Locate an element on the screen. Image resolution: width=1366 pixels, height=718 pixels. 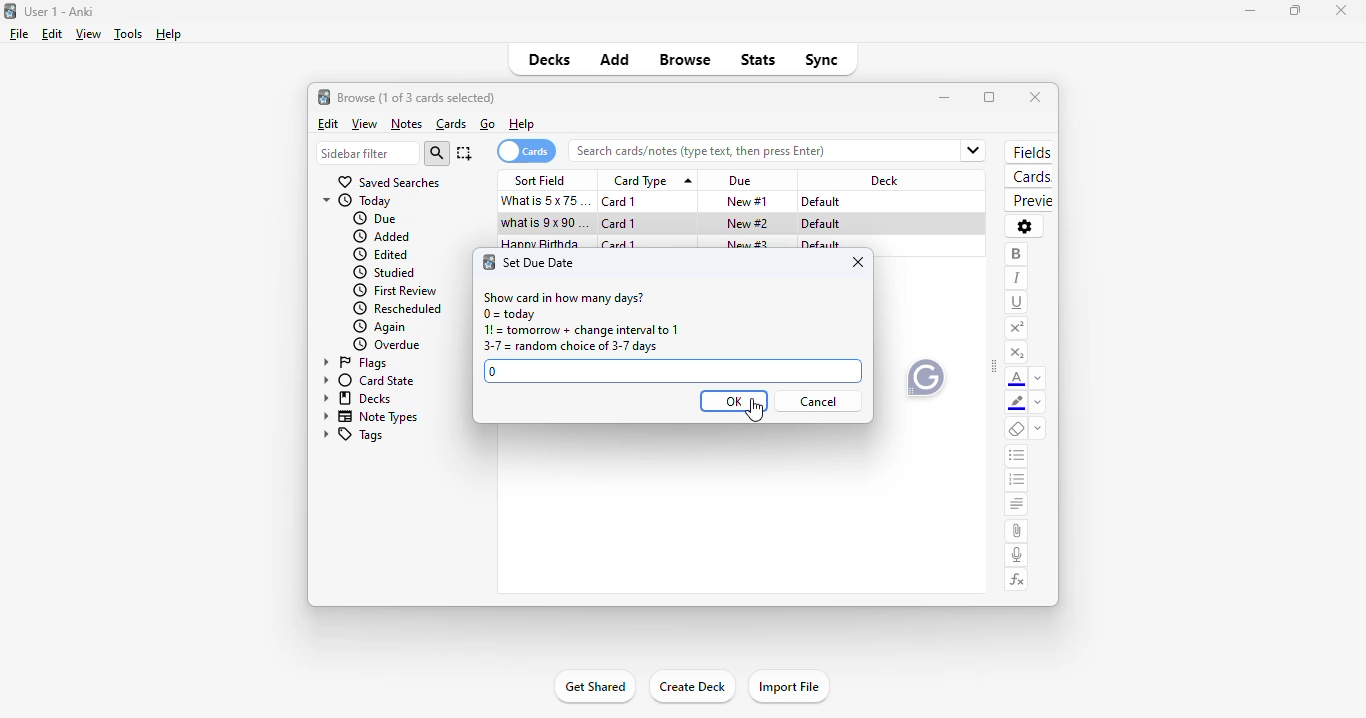
sort field is located at coordinates (543, 180).